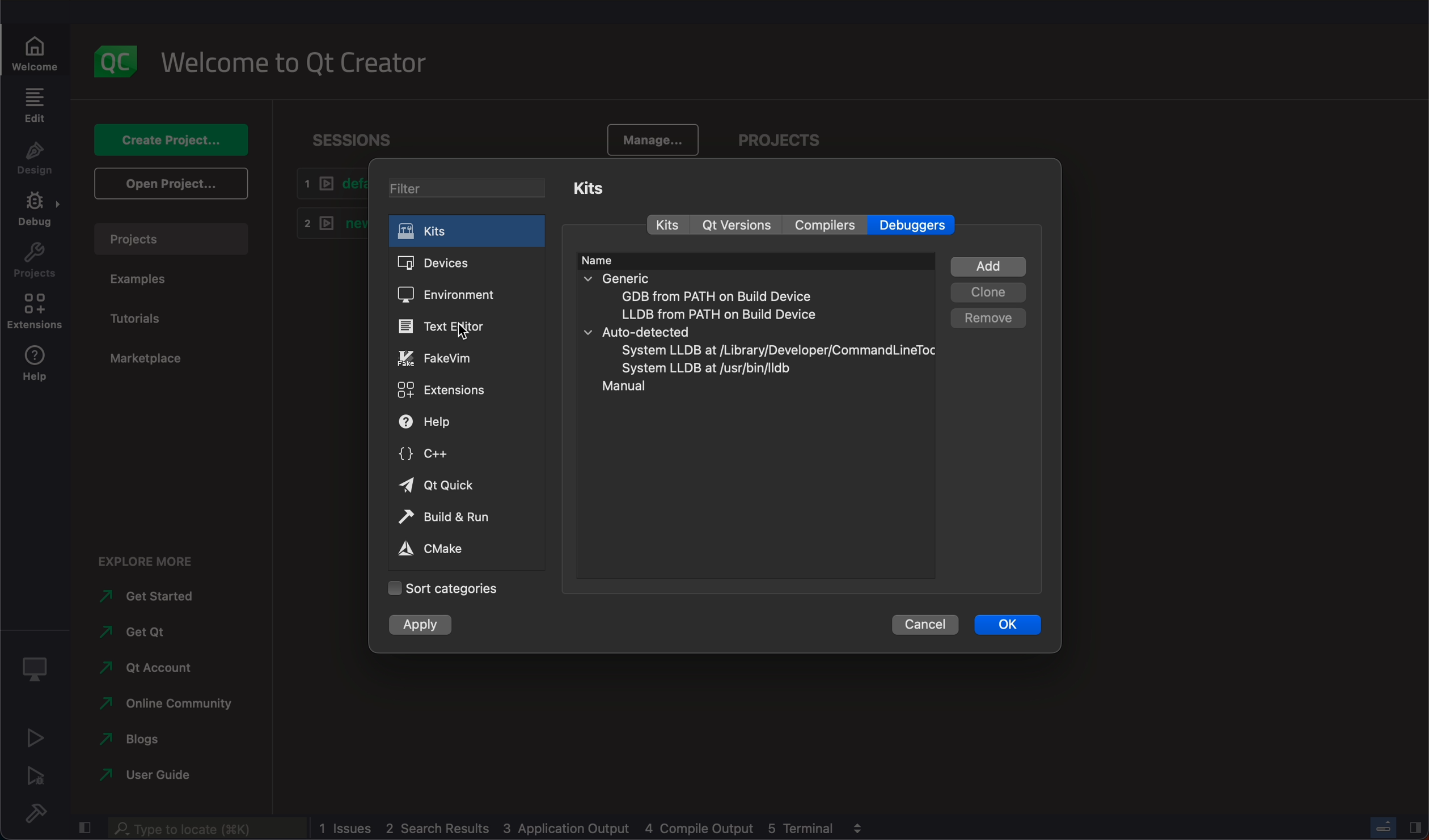 This screenshot has height=840, width=1429. Describe the element at coordinates (206, 829) in the screenshot. I see `search` at that location.